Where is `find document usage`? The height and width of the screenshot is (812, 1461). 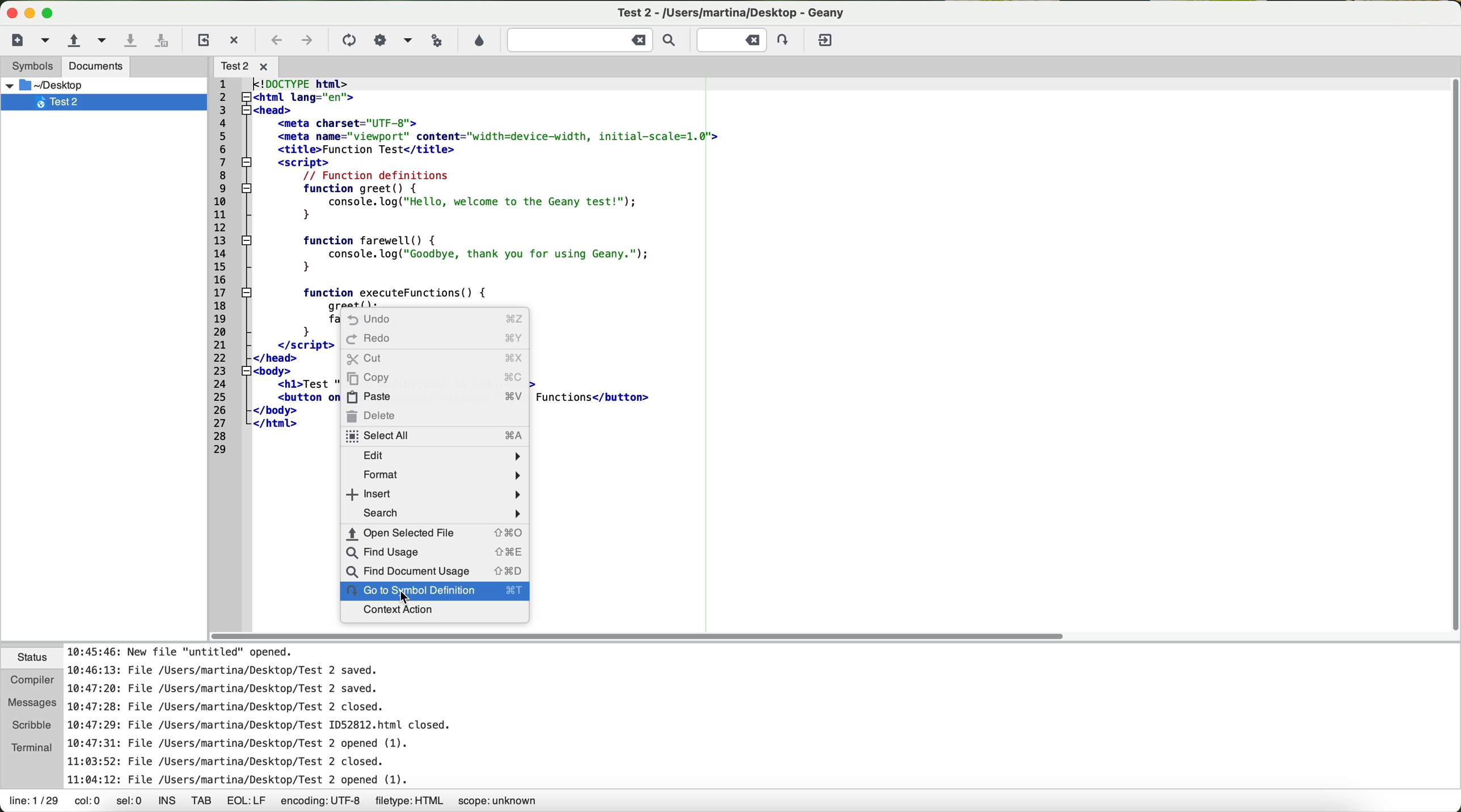
find document usage is located at coordinates (435, 570).